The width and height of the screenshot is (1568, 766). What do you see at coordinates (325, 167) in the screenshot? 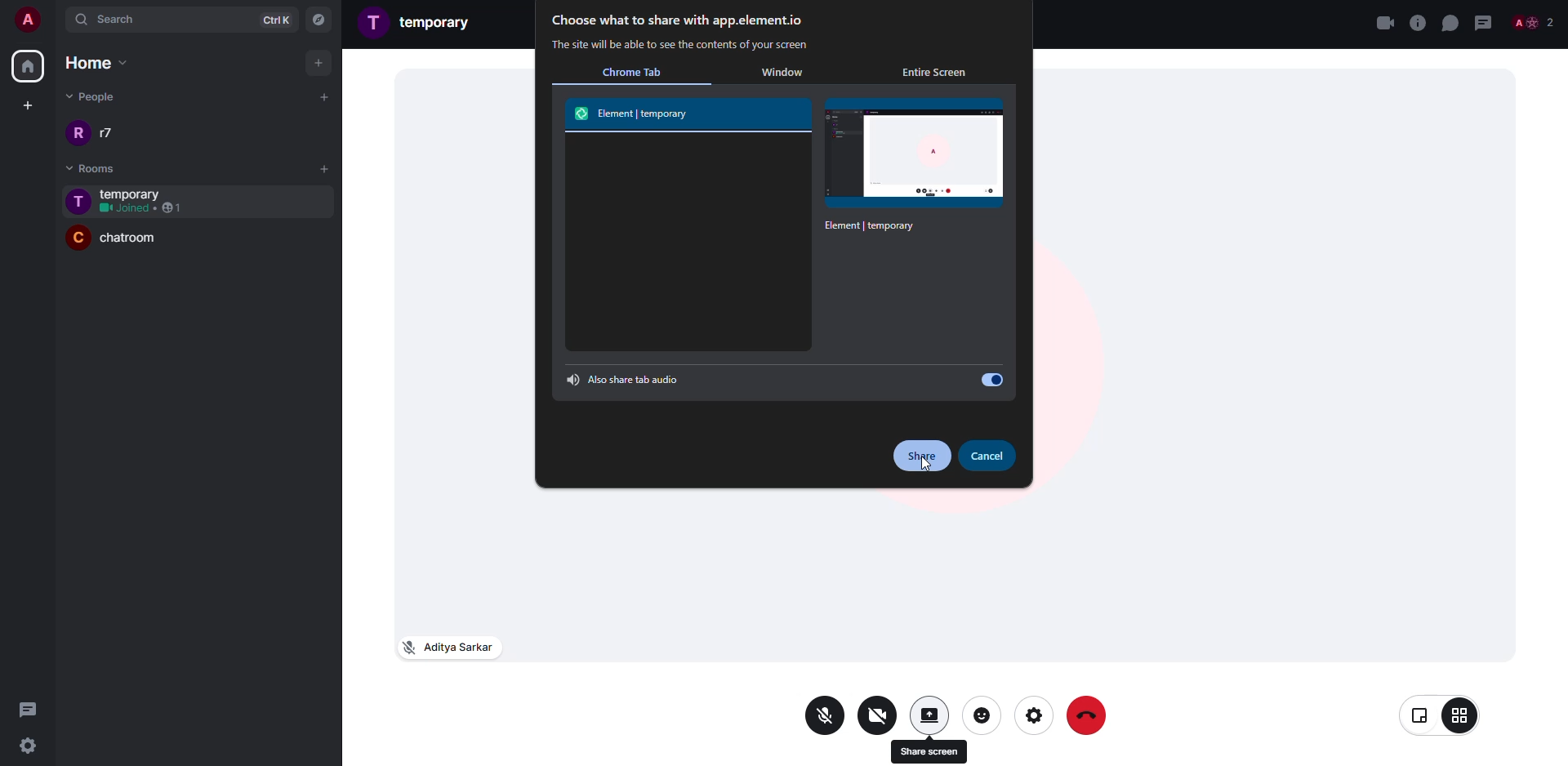
I see `add` at bounding box center [325, 167].